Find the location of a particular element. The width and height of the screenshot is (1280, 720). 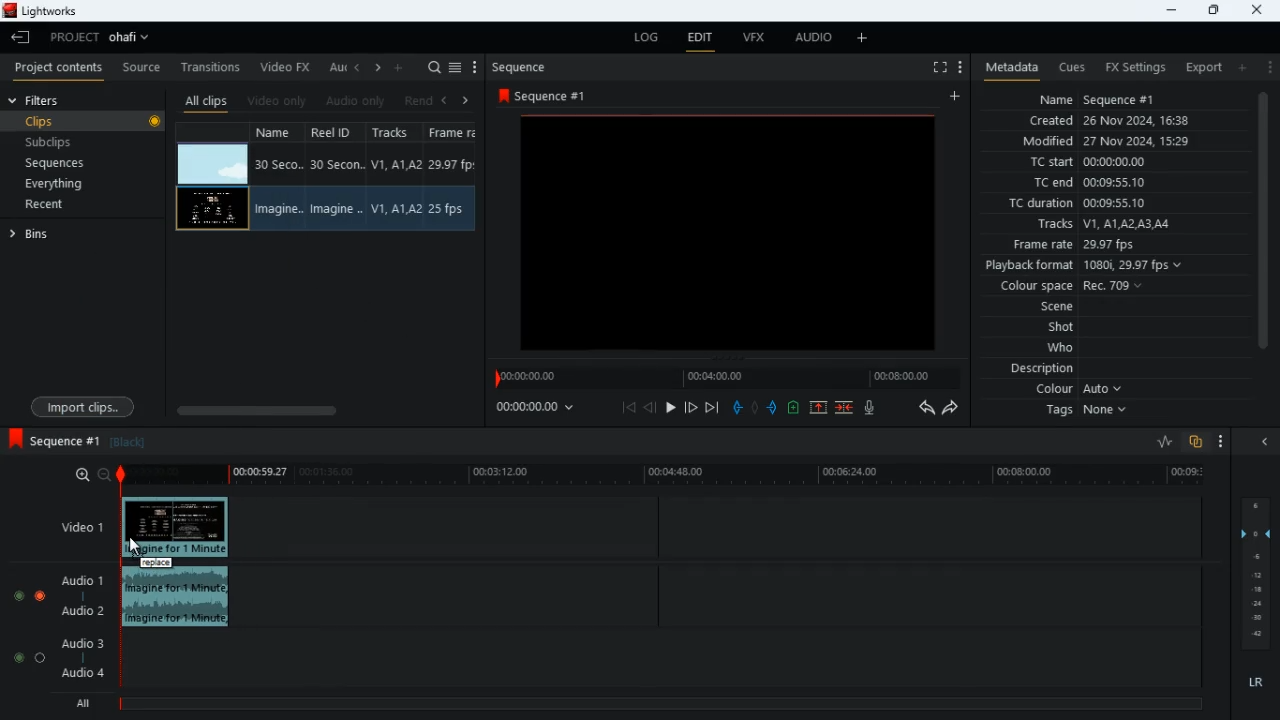

rate is located at coordinates (1158, 442).